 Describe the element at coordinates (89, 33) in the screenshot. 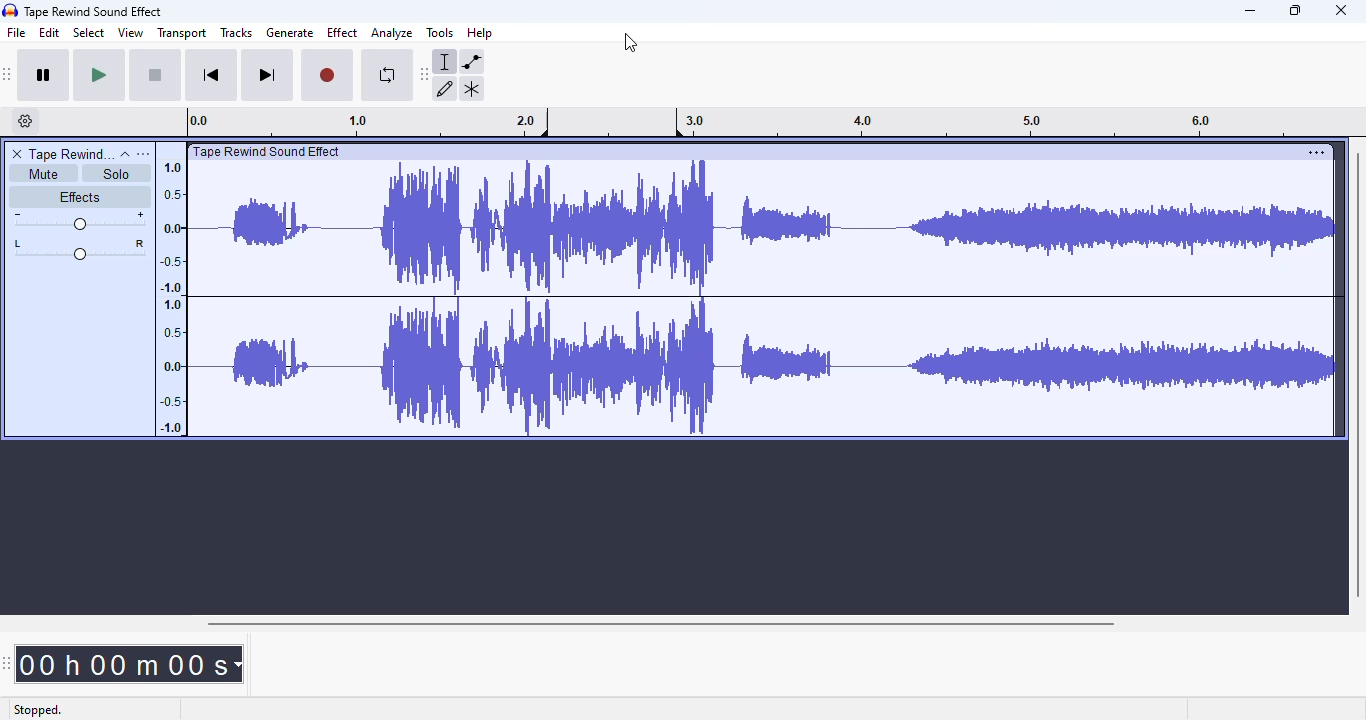

I see `select` at that location.